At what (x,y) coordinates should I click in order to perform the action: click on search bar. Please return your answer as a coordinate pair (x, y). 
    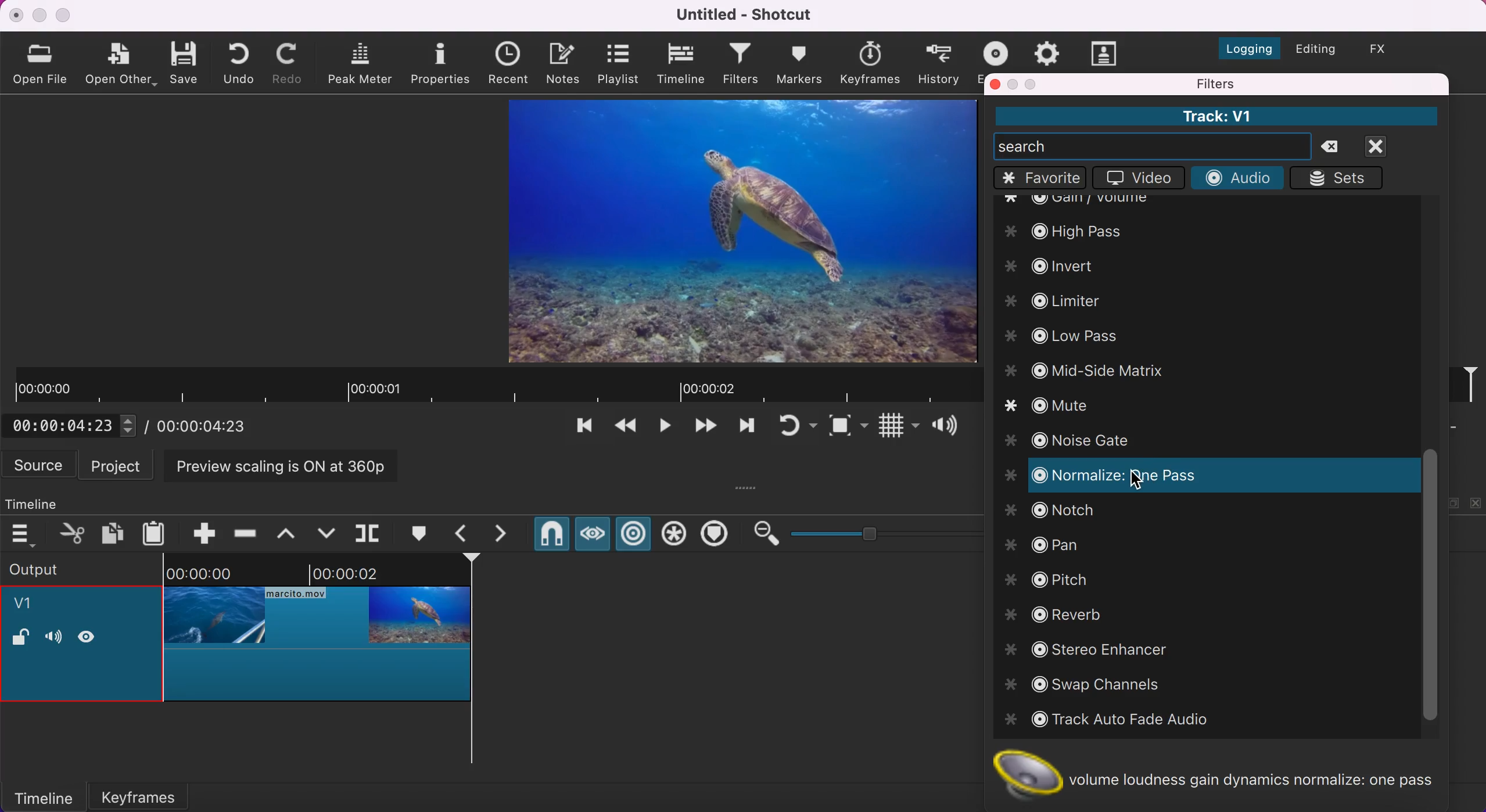
    Looking at the image, I should click on (1153, 146).